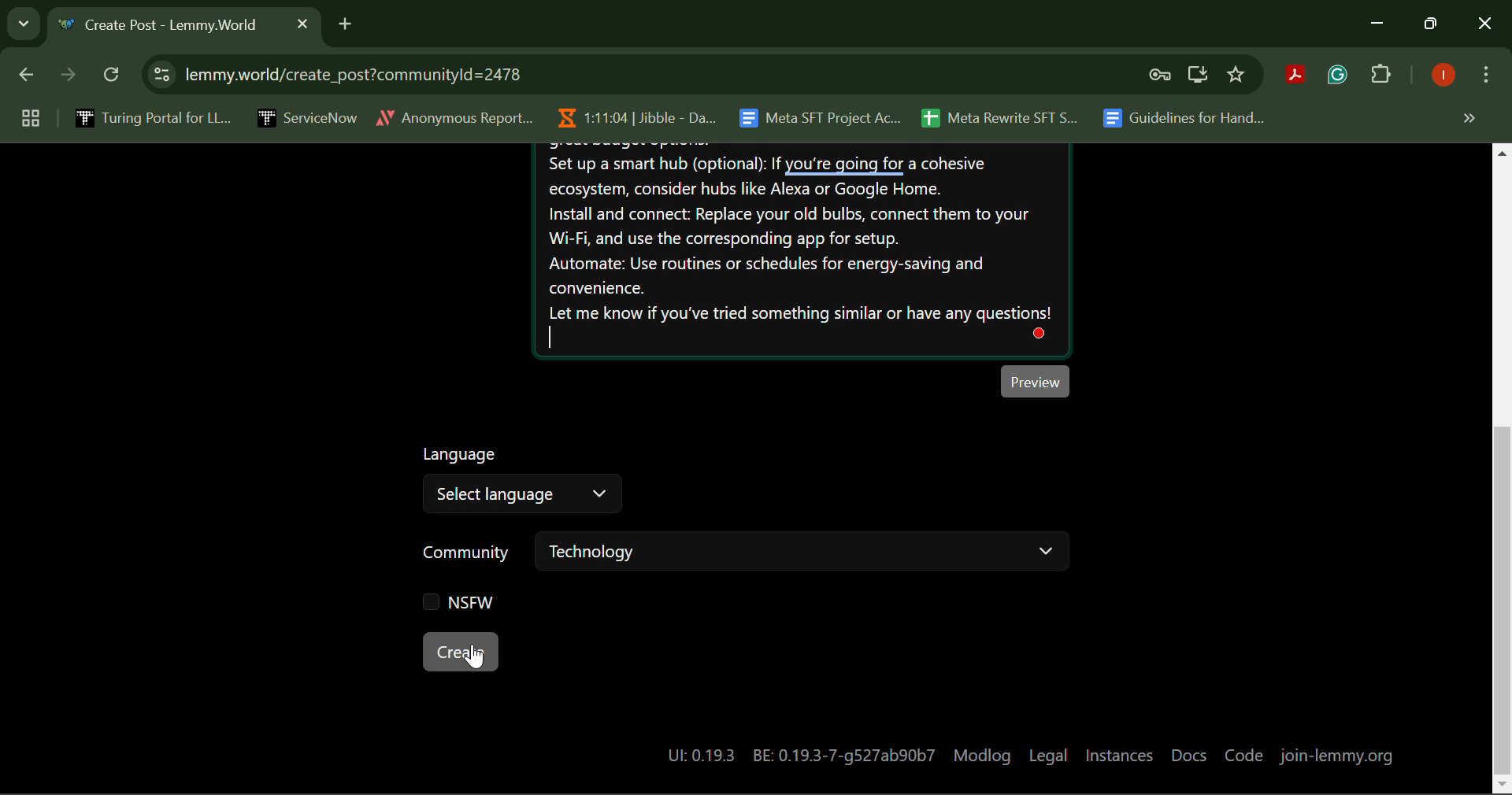 The width and height of the screenshot is (1512, 795). I want to click on Verify Security , so click(1162, 75).